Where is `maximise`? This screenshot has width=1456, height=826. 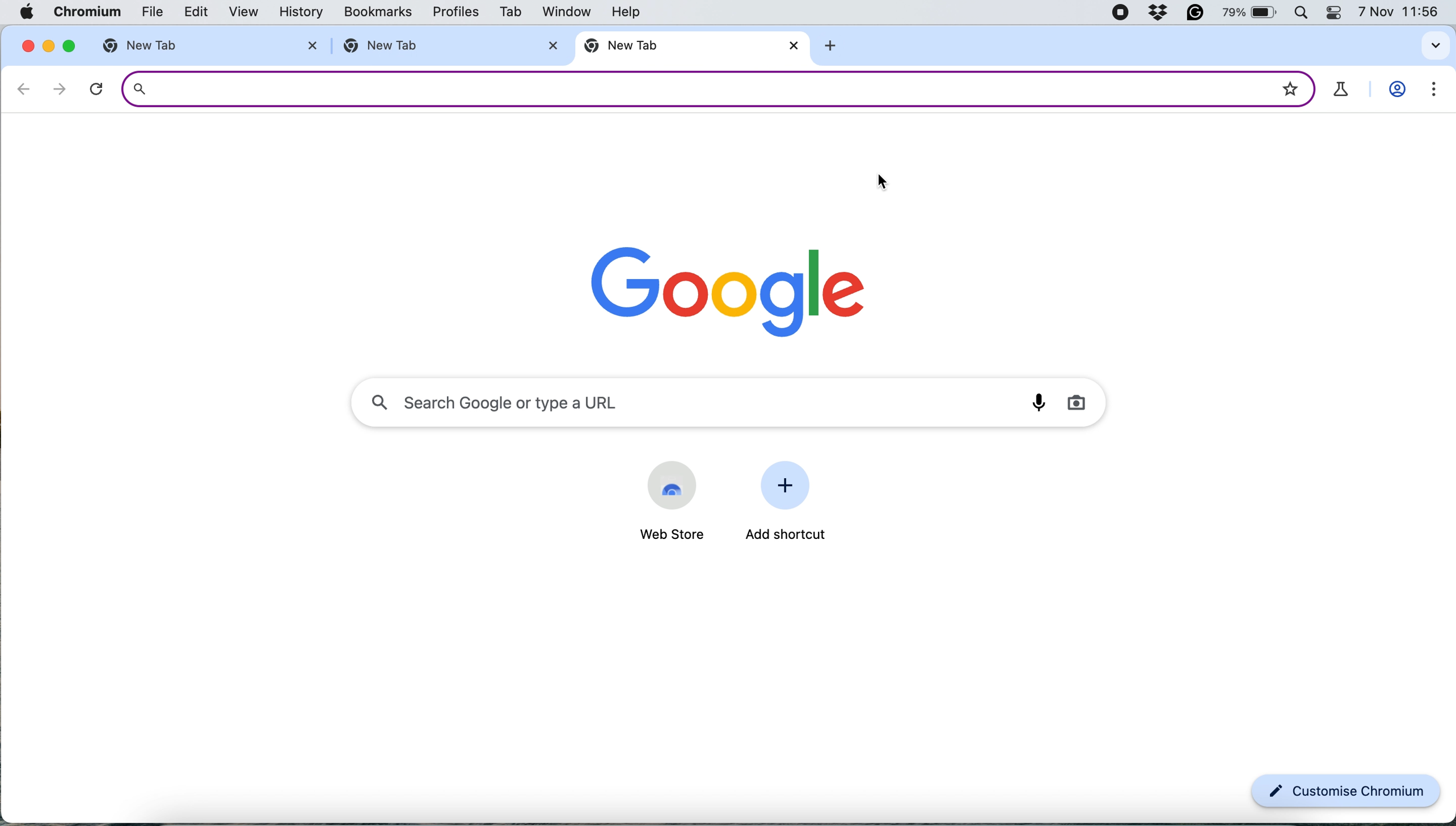
maximise is located at coordinates (67, 45).